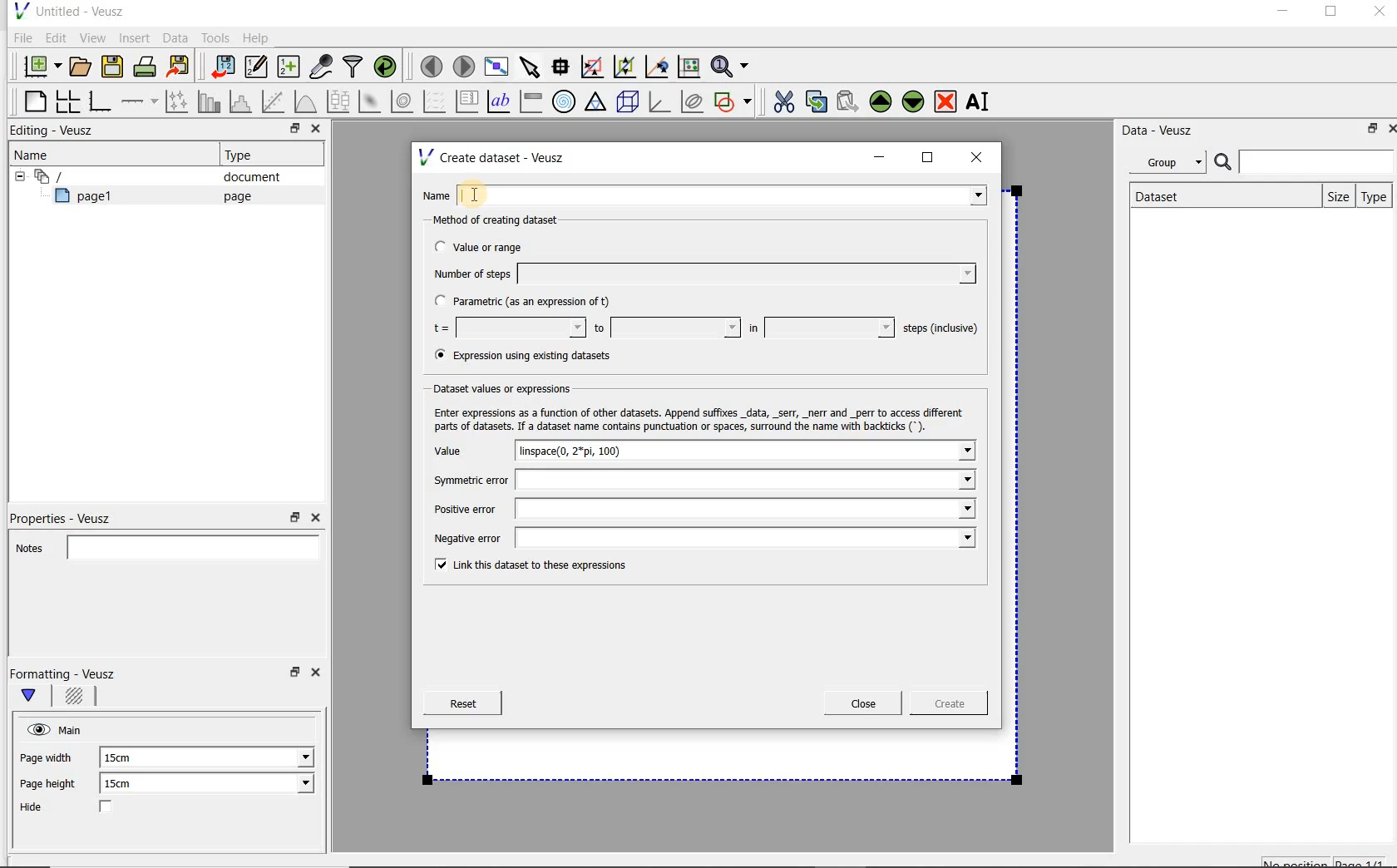  I want to click on Move the selected widget up, so click(881, 101).